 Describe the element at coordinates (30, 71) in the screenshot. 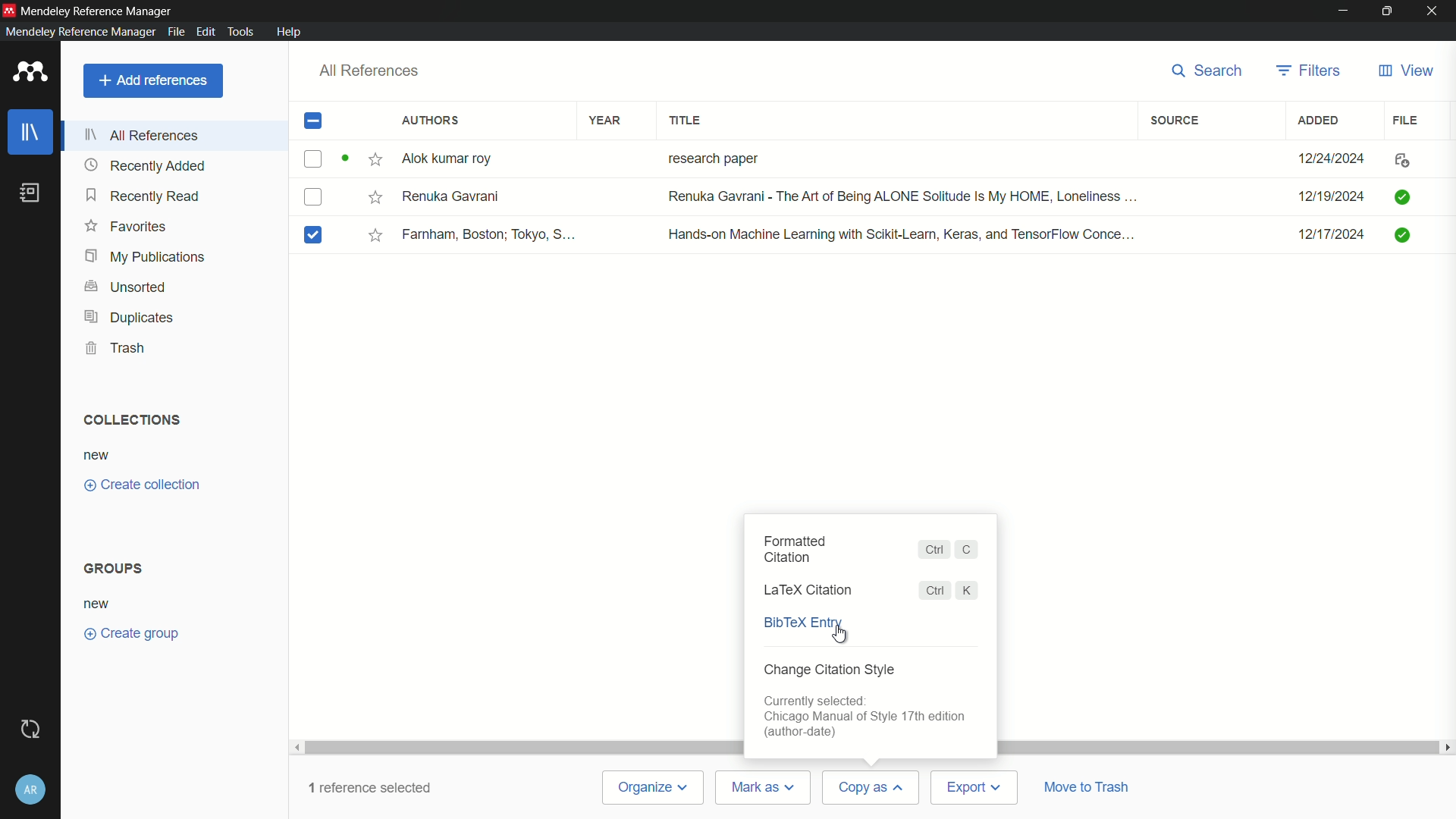

I see `app icon` at that location.